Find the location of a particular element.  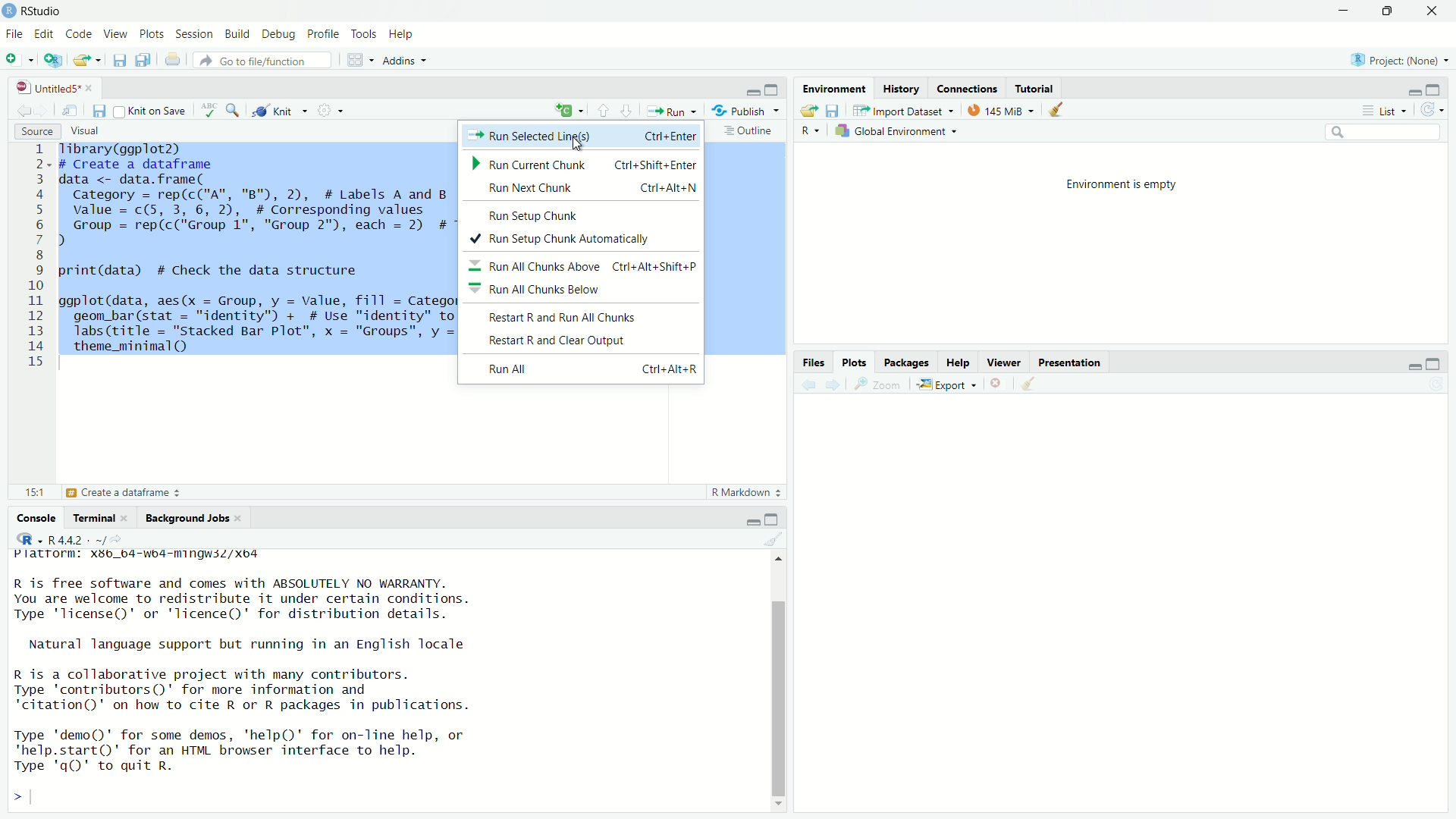

View is located at coordinates (116, 34).